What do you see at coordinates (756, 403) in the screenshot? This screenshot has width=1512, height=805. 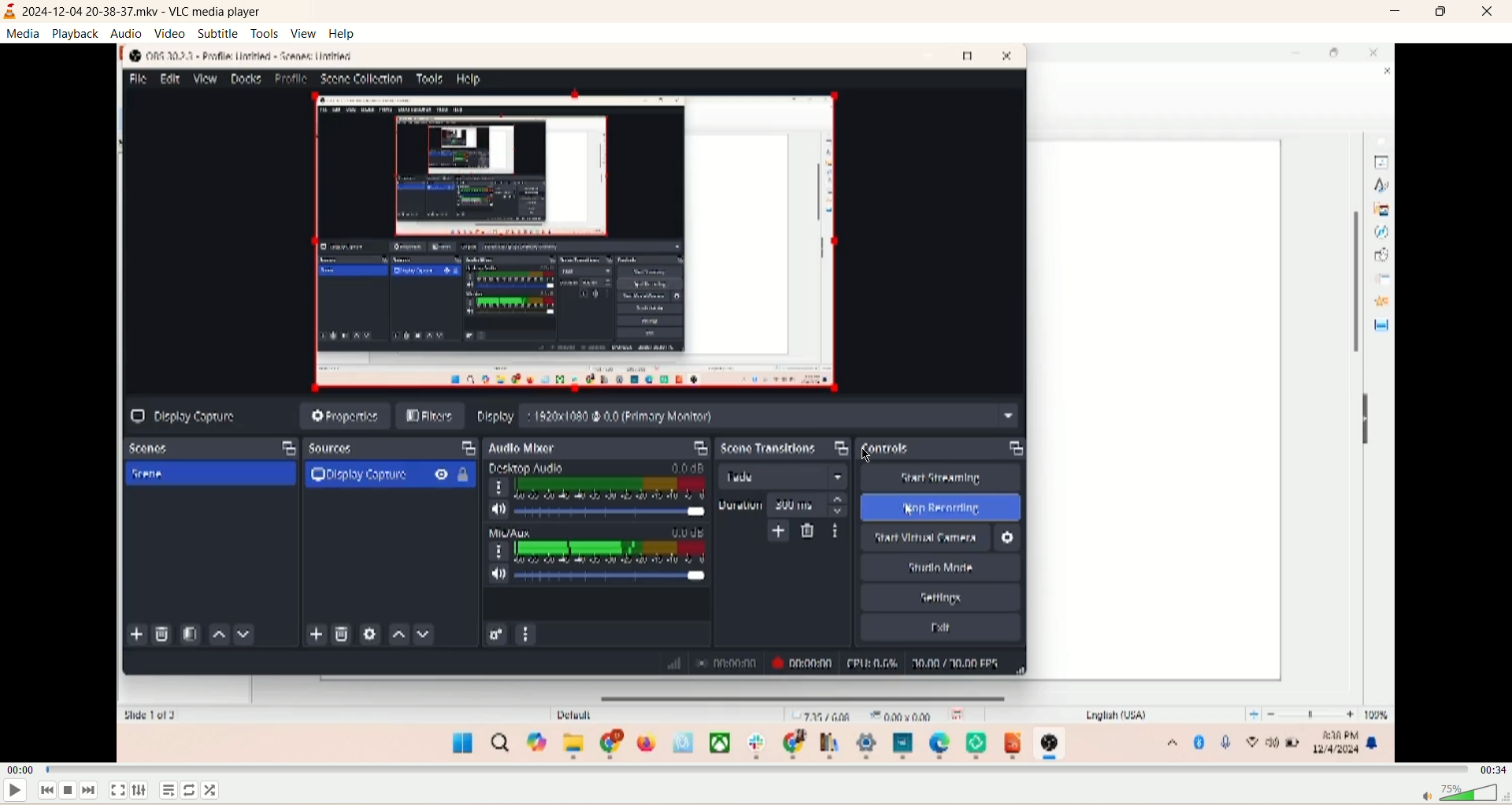 I see `main screen` at bounding box center [756, 403].